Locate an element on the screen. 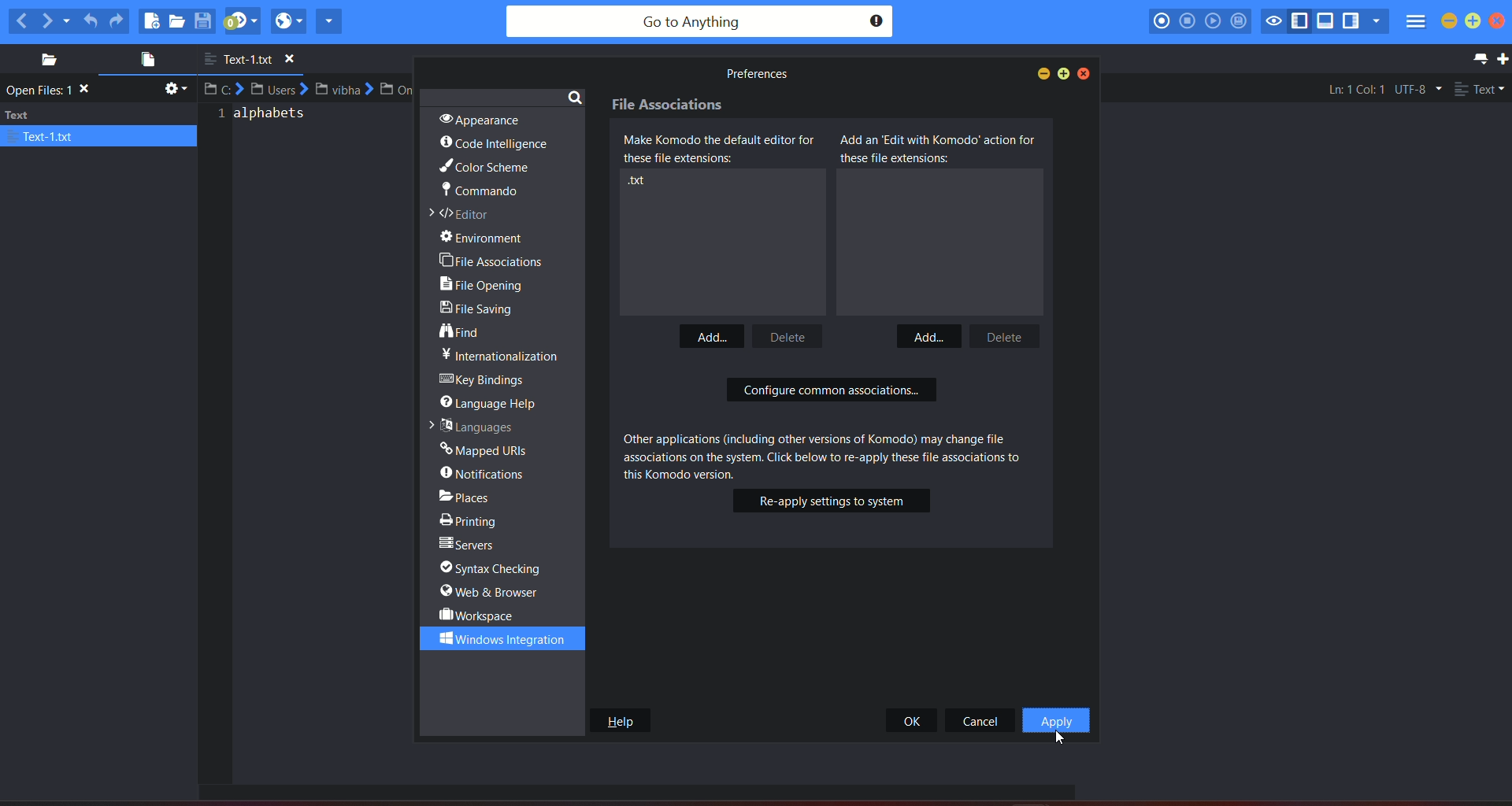 This screenshot has width=1512, height=806. key bridges is located at coordinates (485, 380).